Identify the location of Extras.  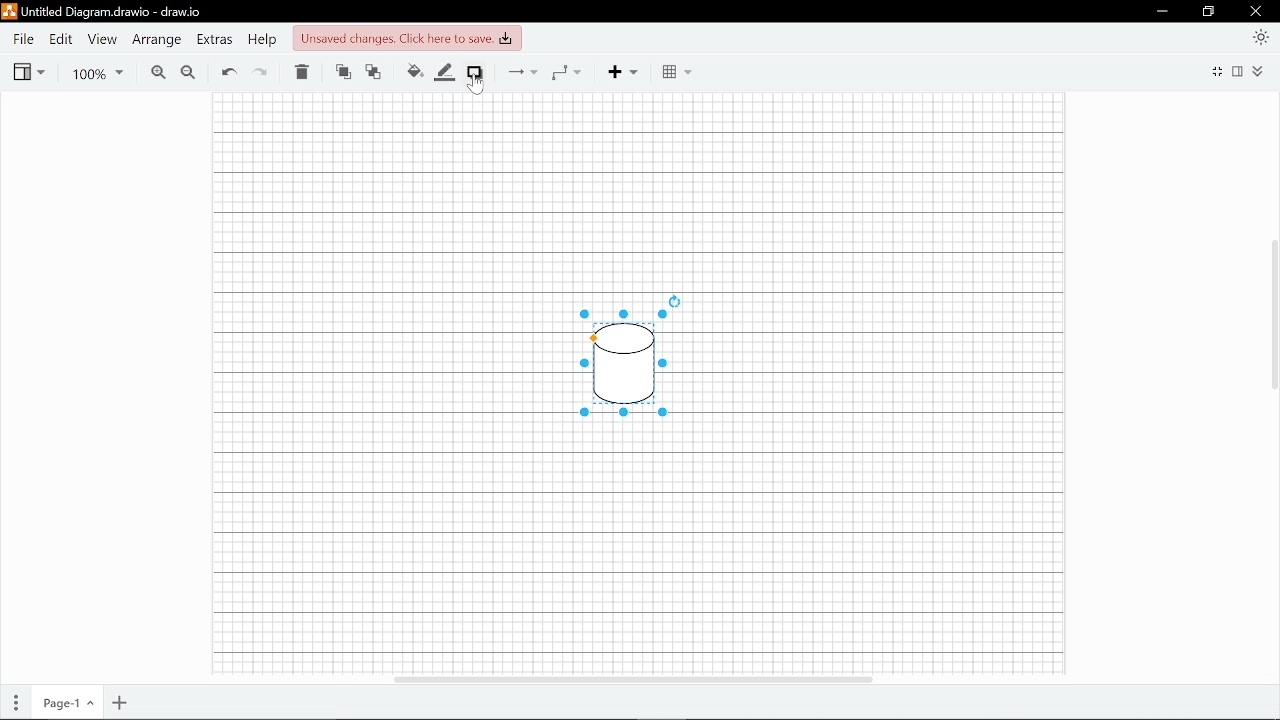
(216, 40).